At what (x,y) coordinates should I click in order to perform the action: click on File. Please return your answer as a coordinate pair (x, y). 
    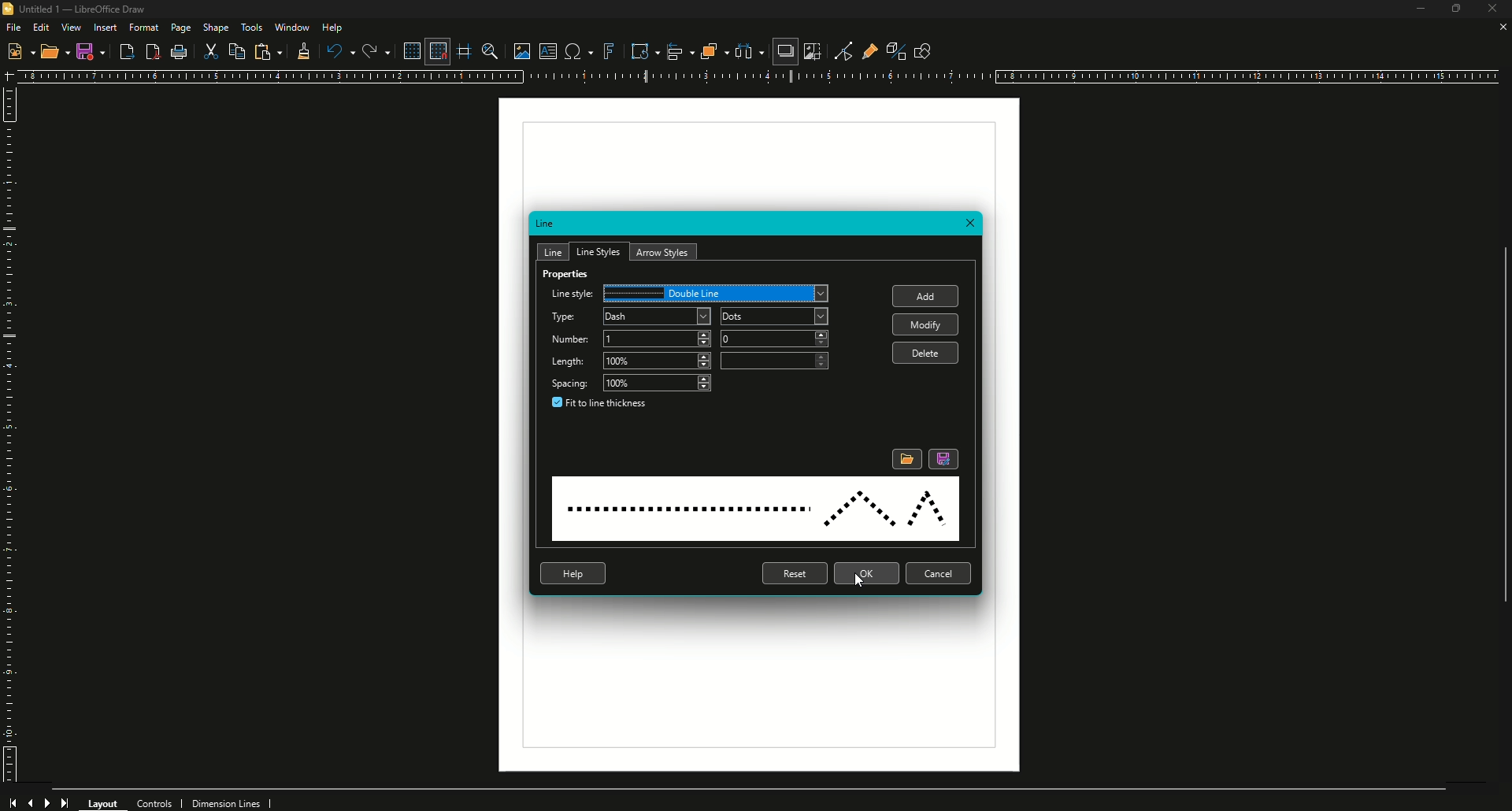
    Looking at the image, I should click on (13, 27).